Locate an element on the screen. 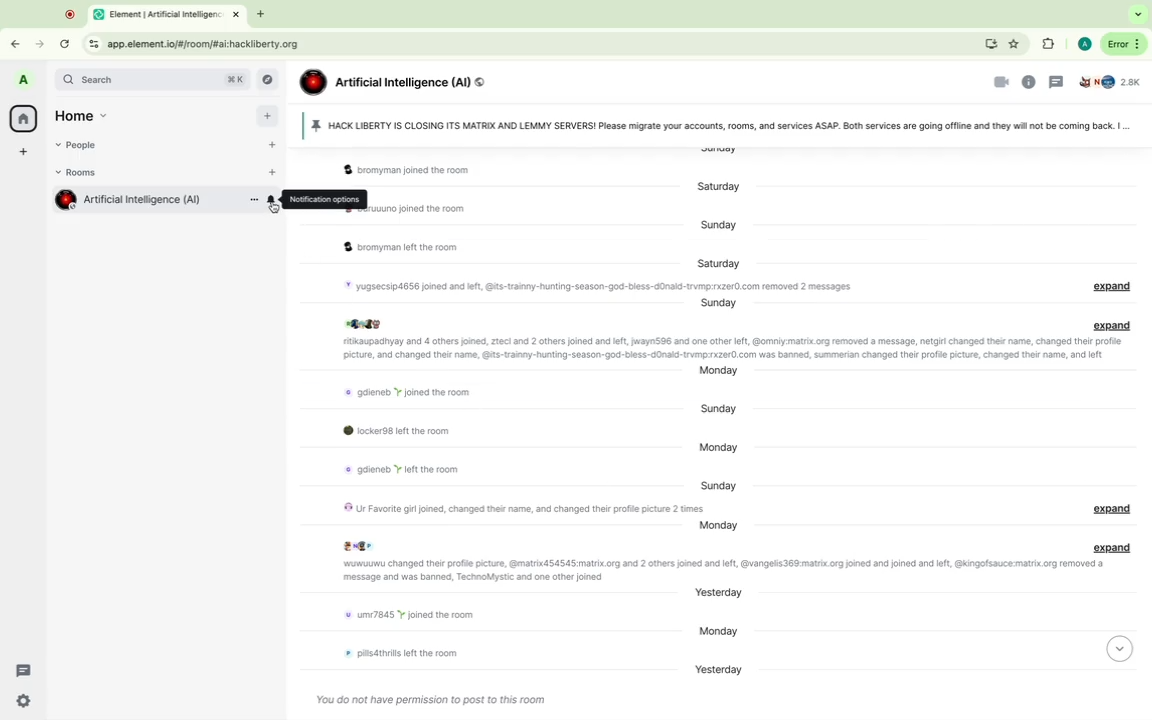 The height and width of the screenshot is (720, 1152). Message is located at coordinates (645, 285).